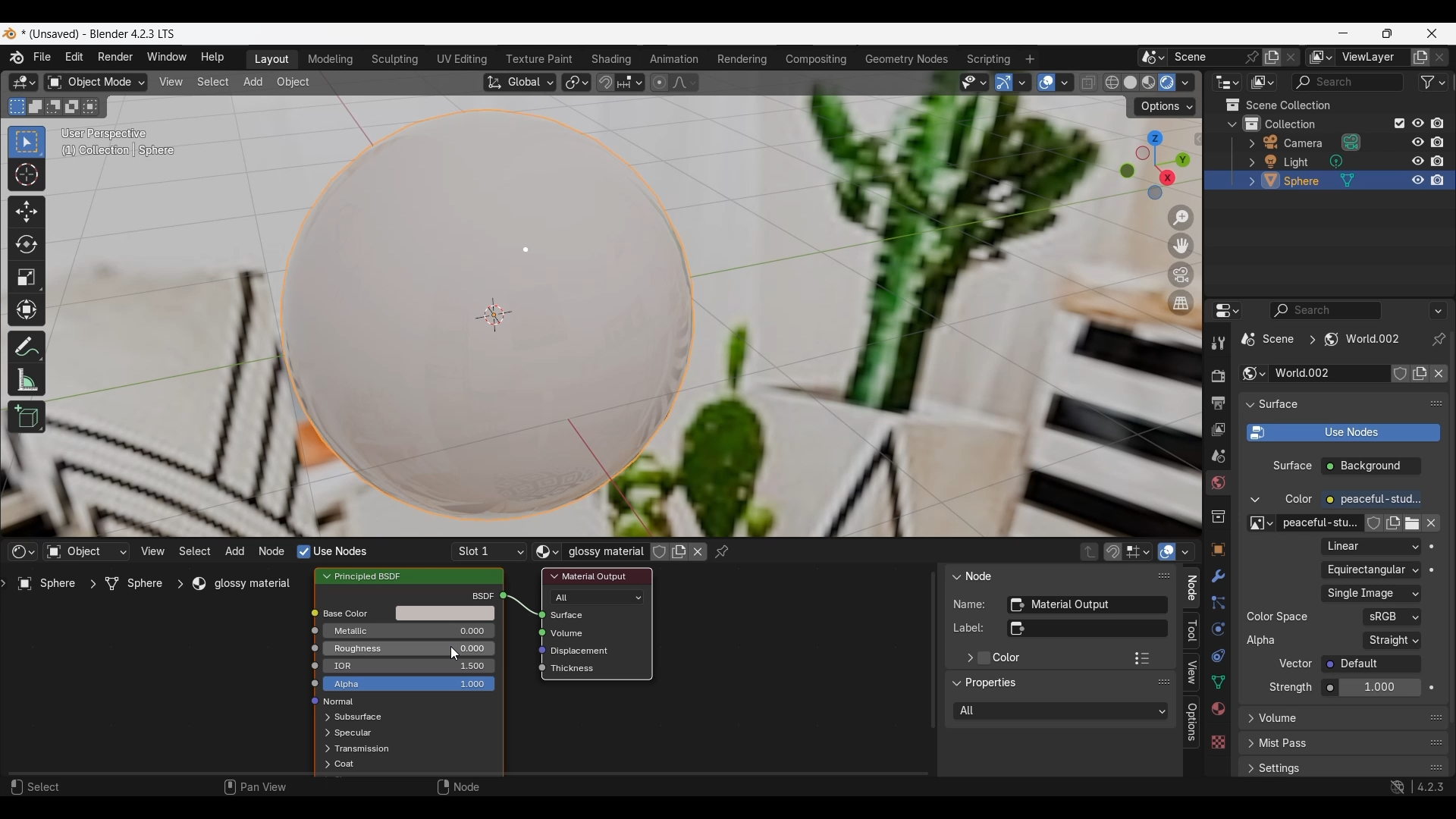  What do you see at coordinates (969, 628) in the screenshot?
I see `label:` at bounding box center [969, 628].